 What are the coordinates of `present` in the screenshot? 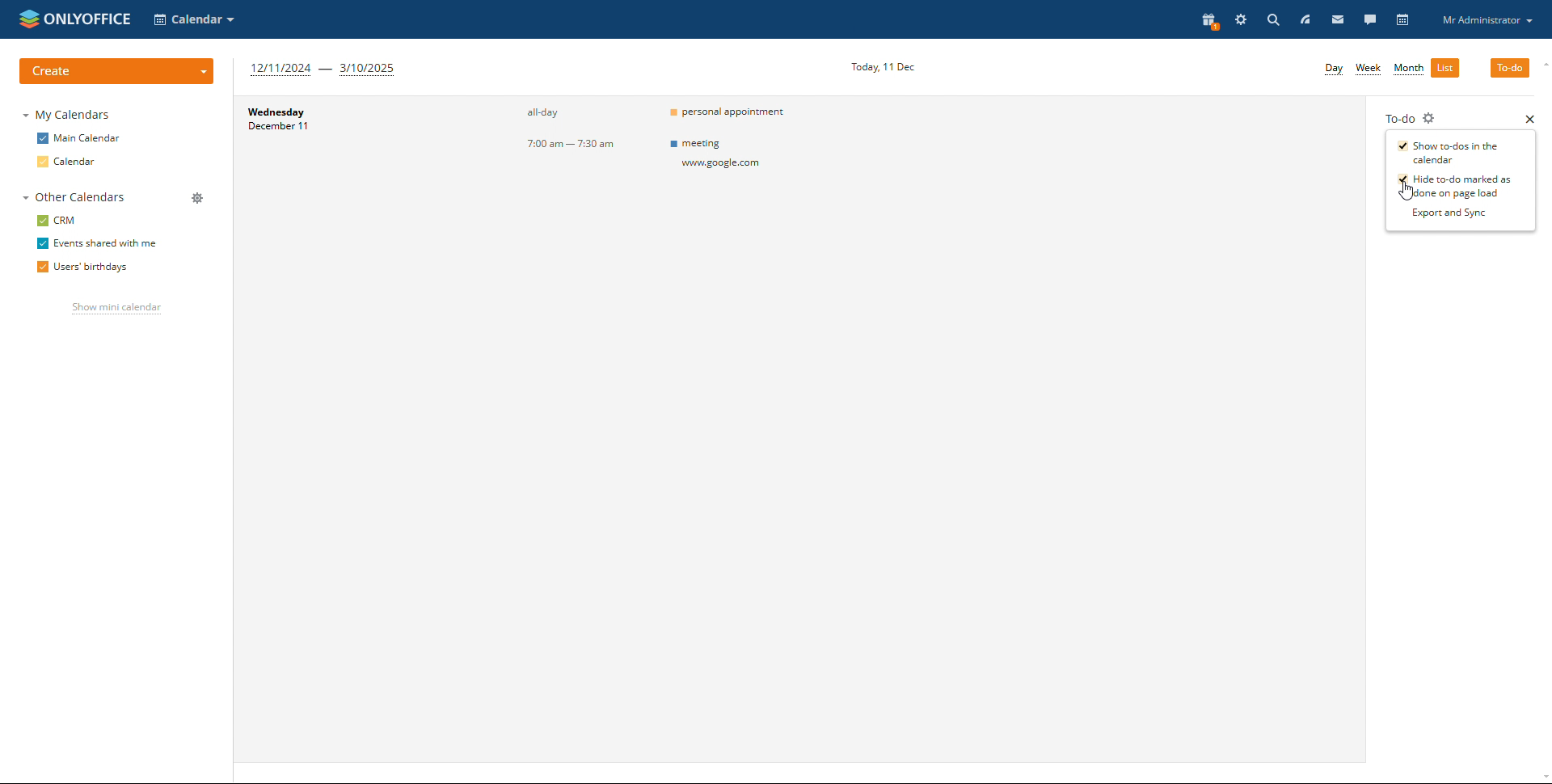 It's located at (1208, 21).